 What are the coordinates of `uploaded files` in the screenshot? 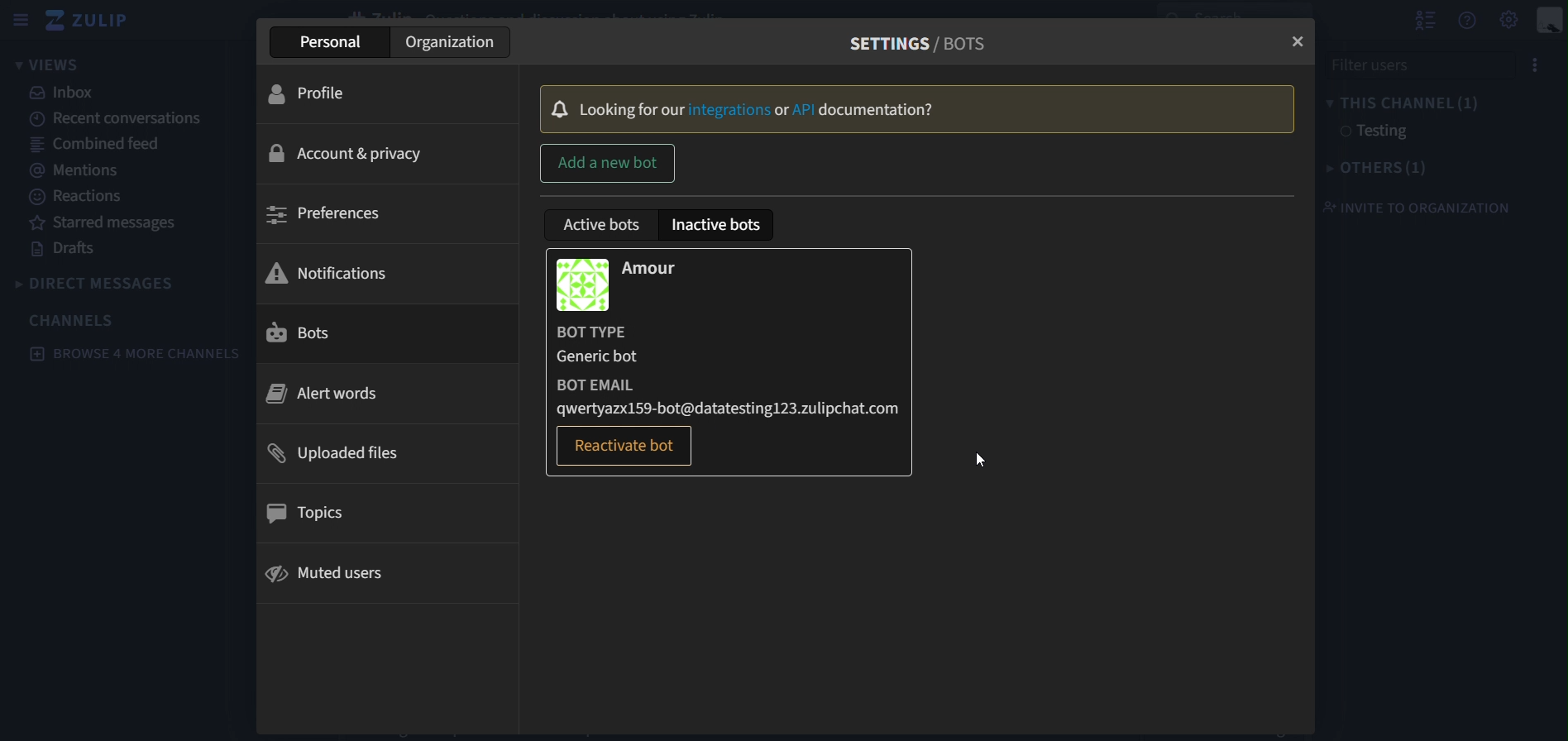 It's located at (347, 455).